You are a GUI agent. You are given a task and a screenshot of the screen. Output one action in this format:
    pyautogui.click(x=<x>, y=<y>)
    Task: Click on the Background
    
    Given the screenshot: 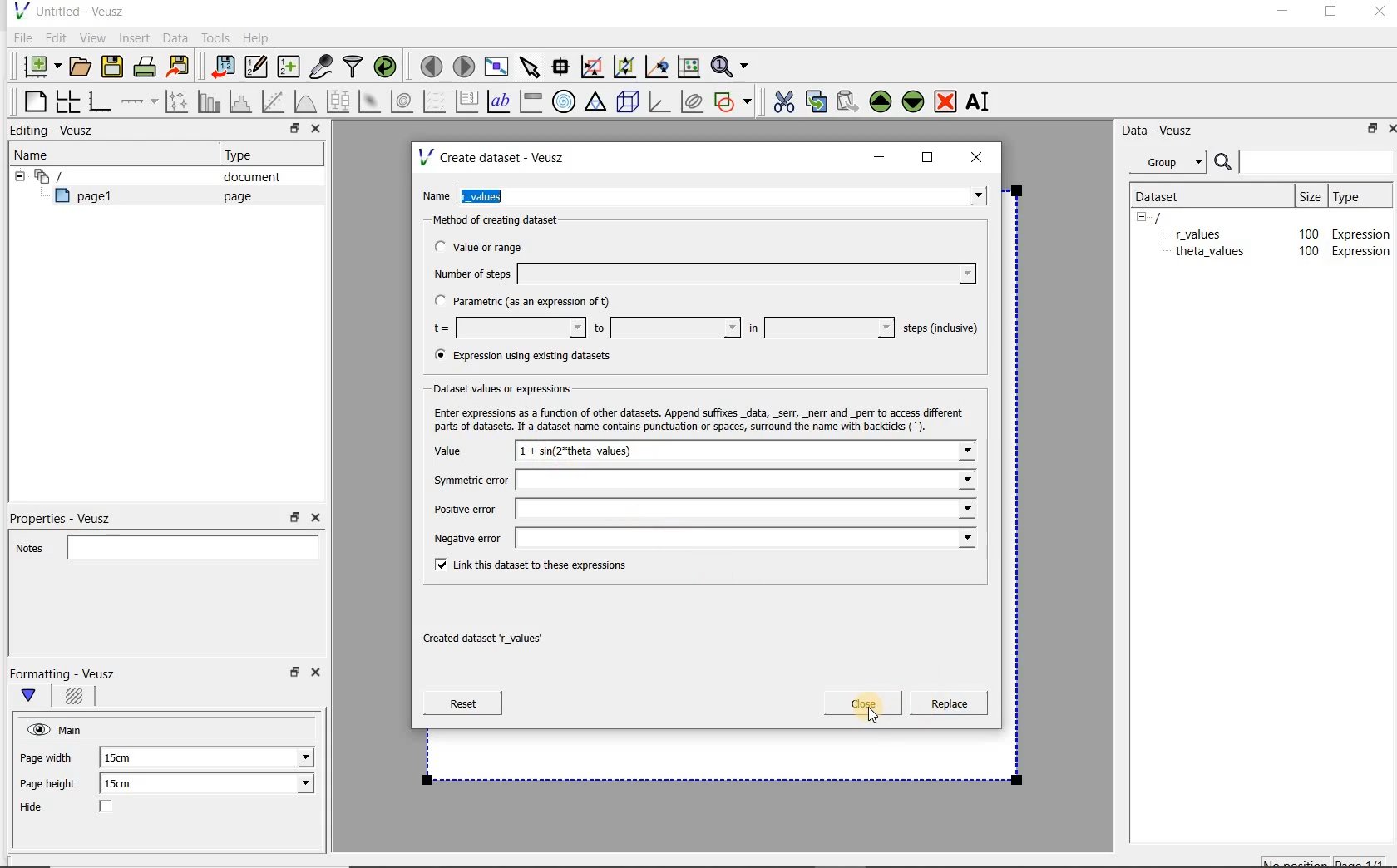 What is the action you would take?
    pyautogui.click(x=77, y=698)
    